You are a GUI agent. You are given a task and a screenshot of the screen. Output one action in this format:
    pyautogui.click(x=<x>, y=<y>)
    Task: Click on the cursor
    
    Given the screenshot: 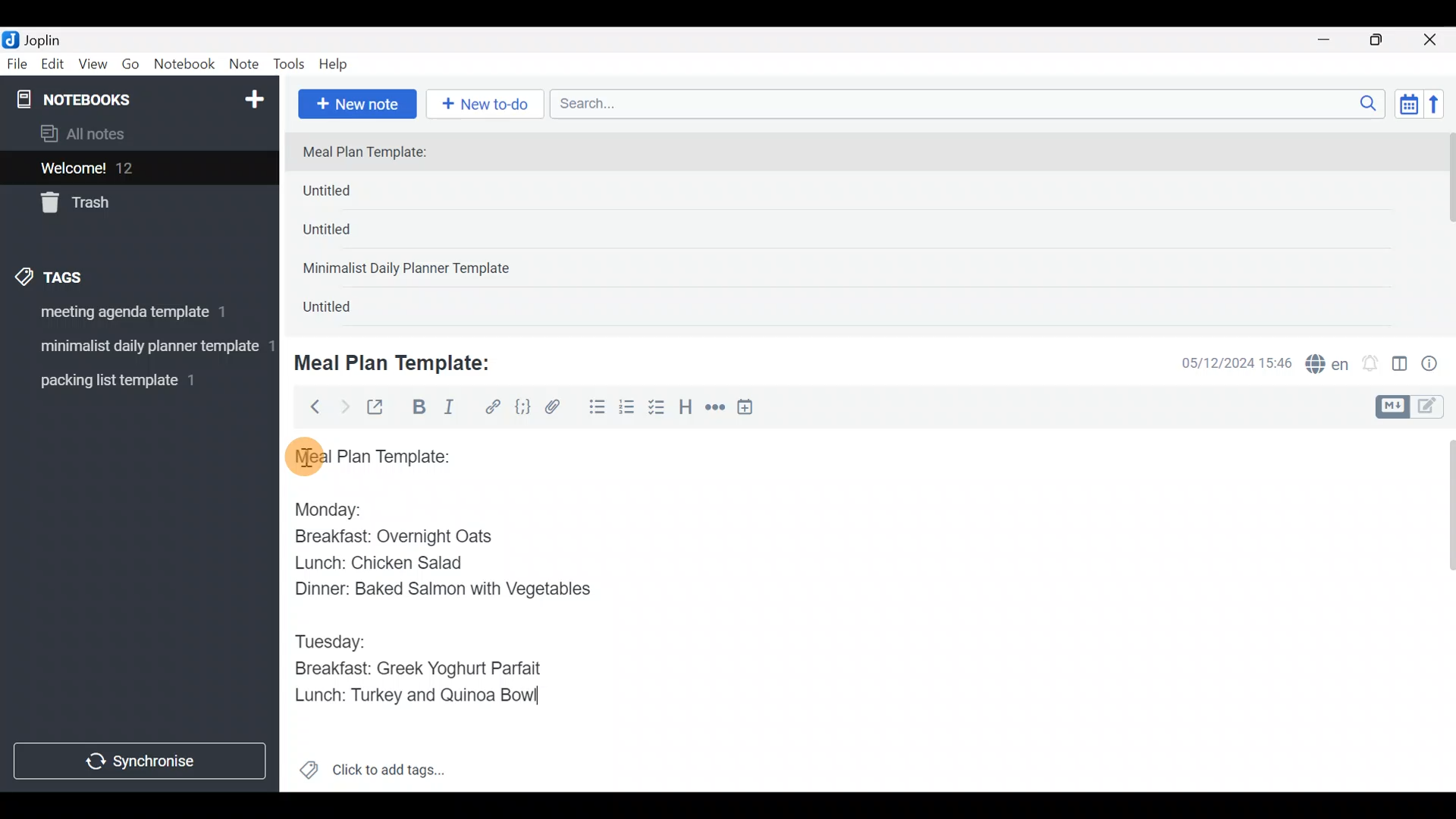 What is the action you would take?
    pyautogui.click(x=303, y=456)
    